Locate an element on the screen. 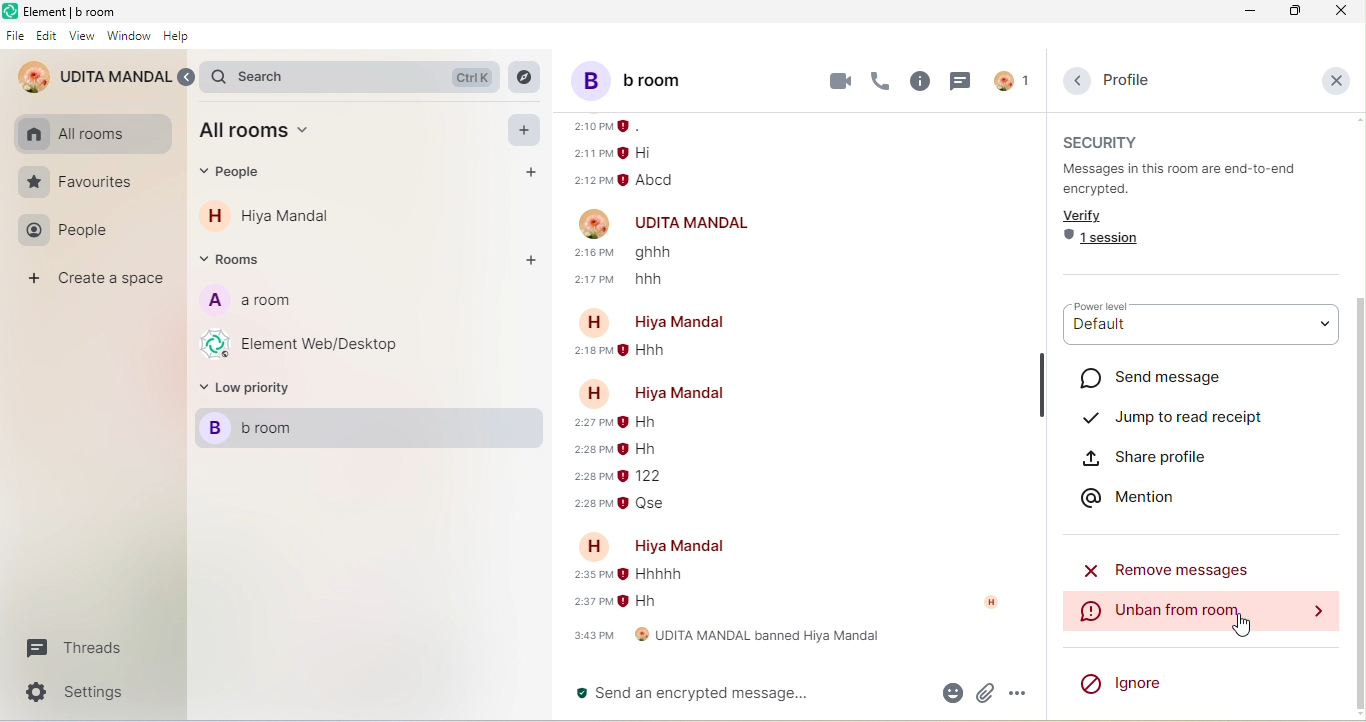  hiya mandal is located at coordinates (289, 216).